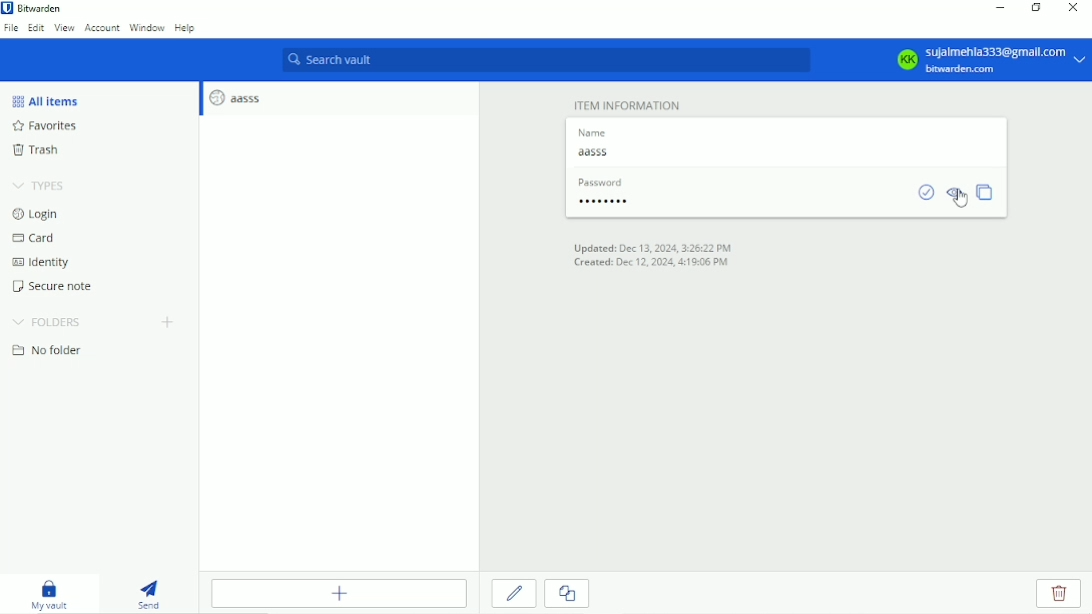 Image resolution: width=1092 pixels, height=614 pixels. What do you see at coordinates (1074, 9) in the screenshot?
I see `Close` at bounding box center [1074, 9].